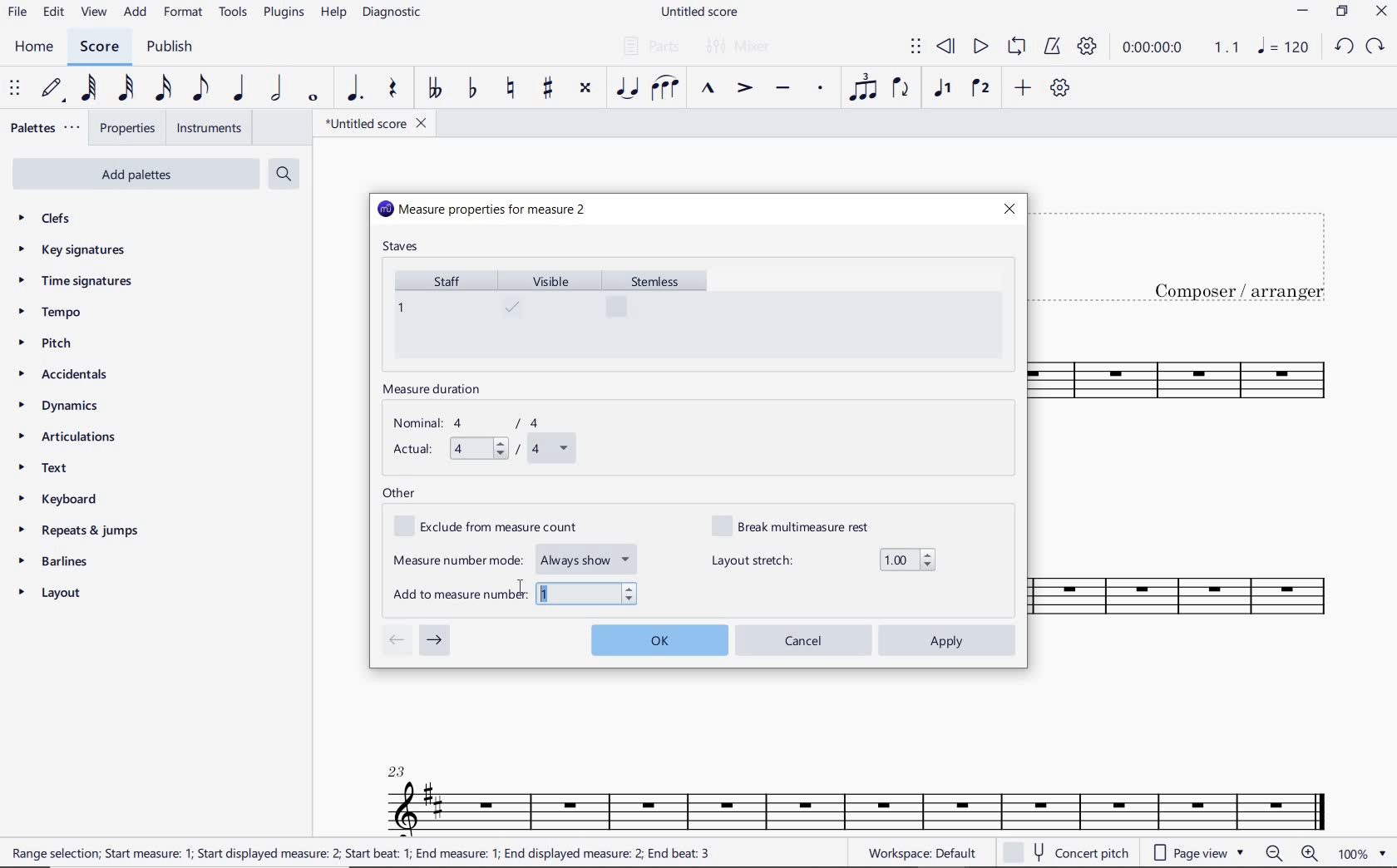 Image resolution: width=1397 pixels, height=868 pixels. Describe the element at coordinates (1282, 47) in the screenshot. I see `NOTE` at that location.